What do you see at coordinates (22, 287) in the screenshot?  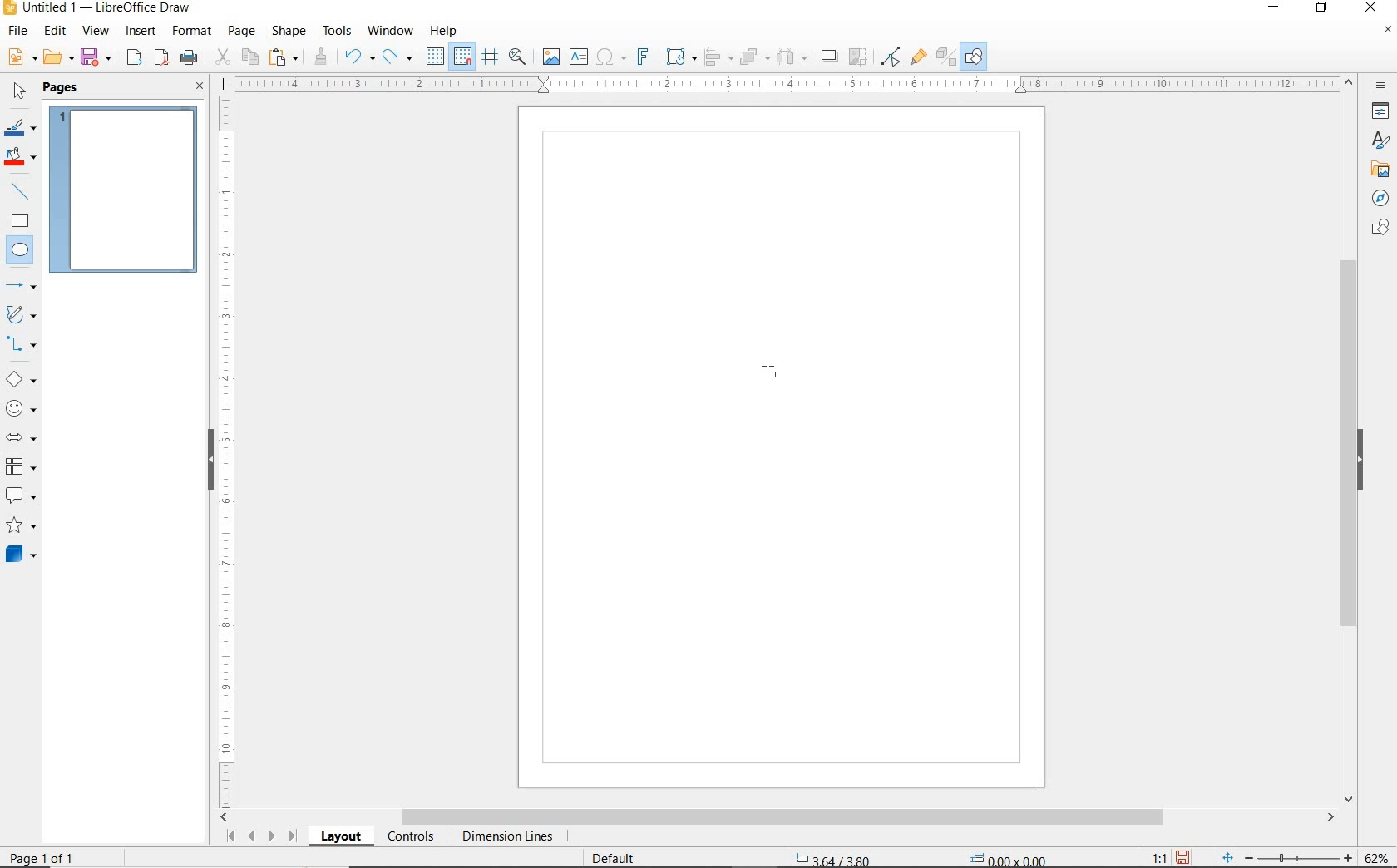 I see `LINES AND ARROWS` at bounding box center [22, 287].